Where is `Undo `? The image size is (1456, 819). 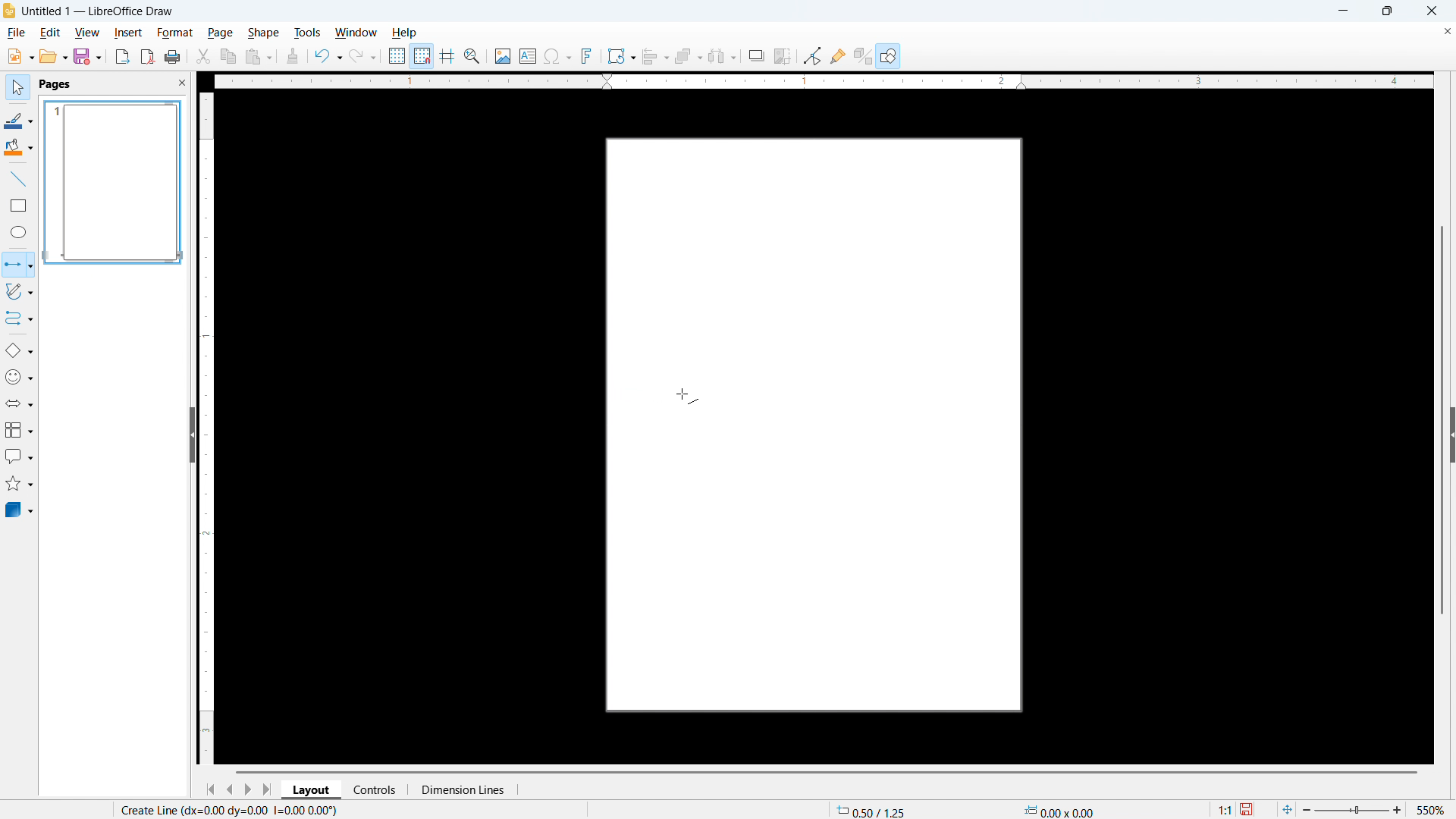
Undo  is located at coordinates (329, 57).